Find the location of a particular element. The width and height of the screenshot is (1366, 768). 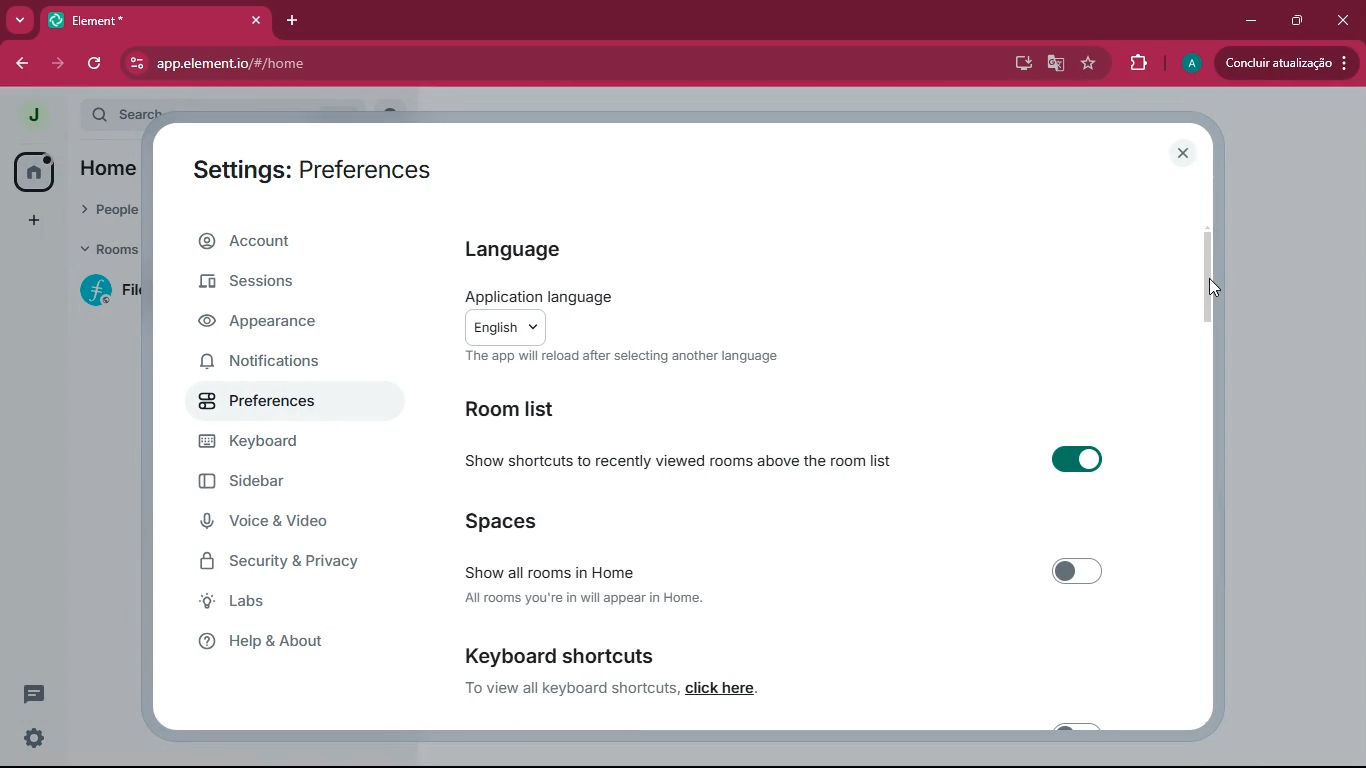

add tab is located at coordinates (291, 21).